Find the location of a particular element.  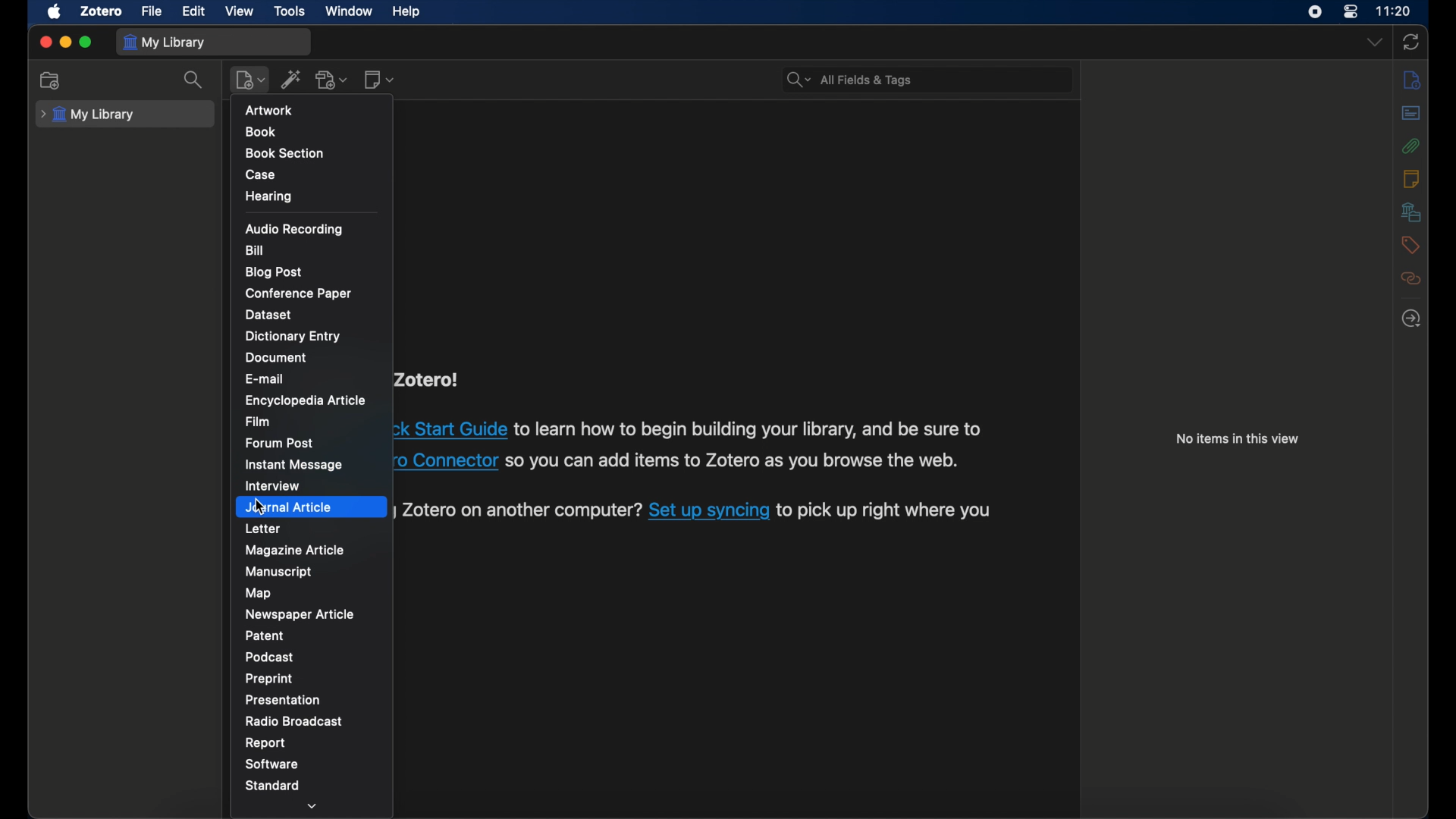

control center is located at coordinates (1351, 12).